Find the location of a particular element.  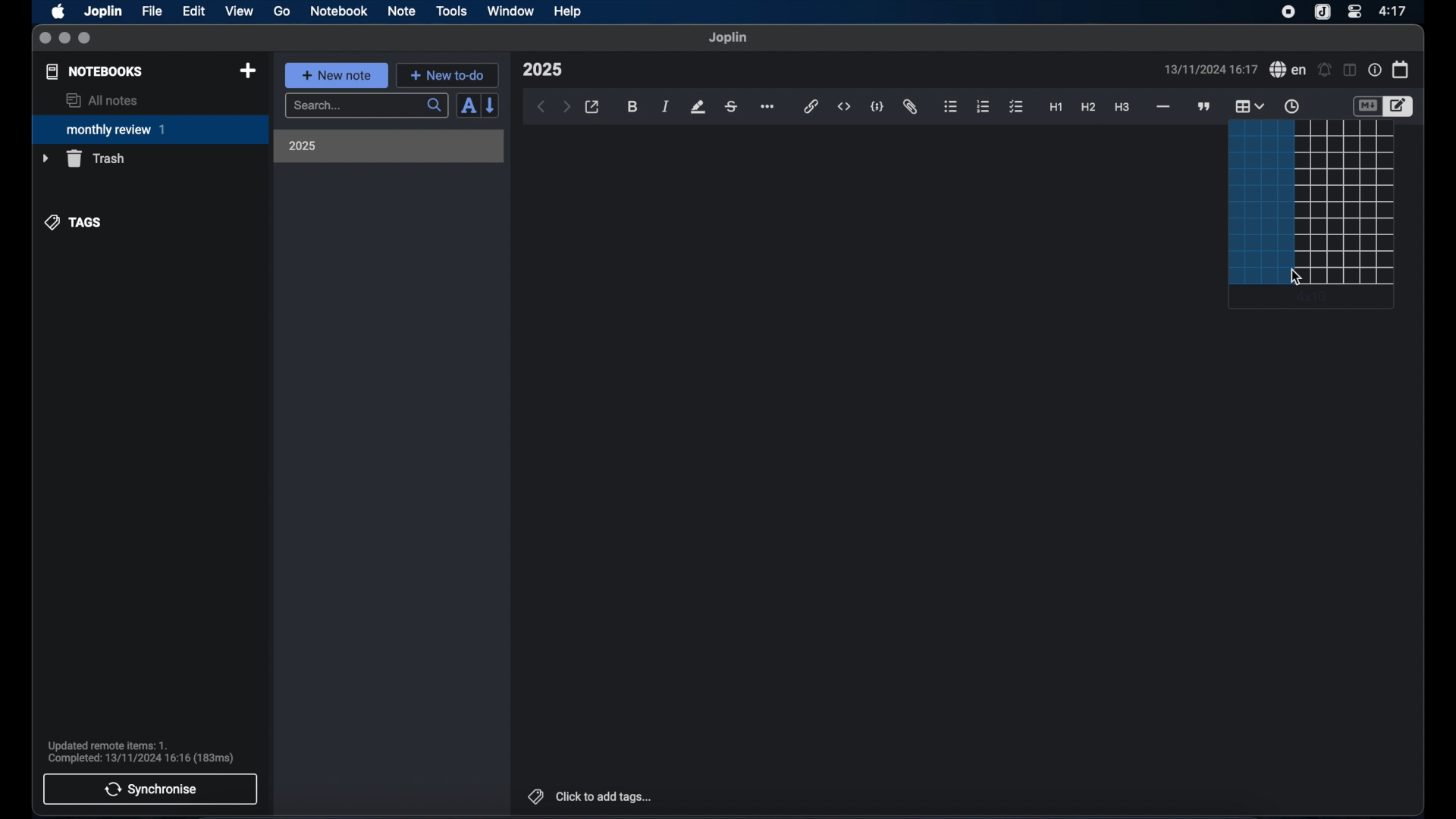

joplin icon is located at coordinates (1321, 13).